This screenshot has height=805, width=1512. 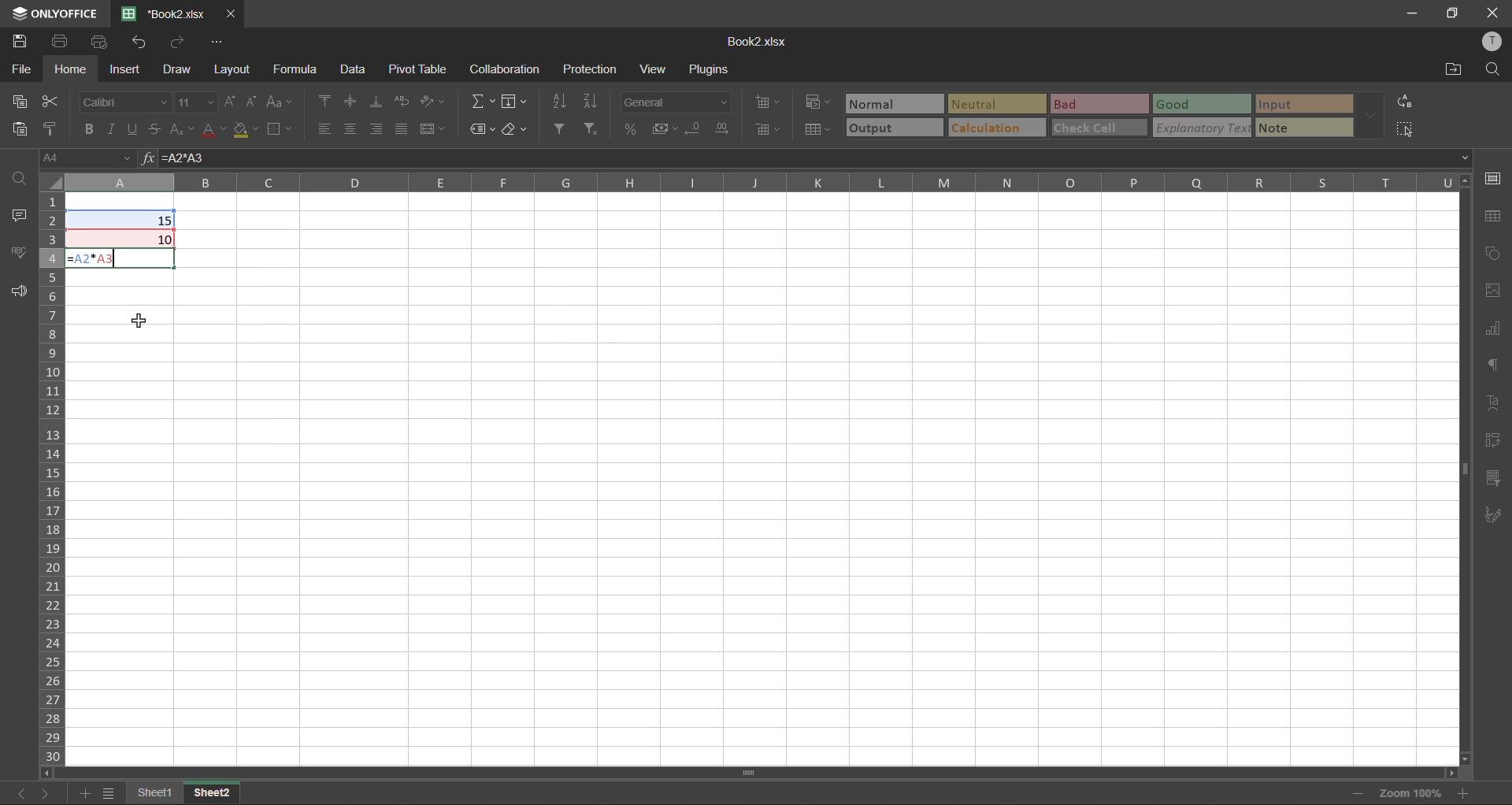 What do you see at coordinates (25, 101) in the screenshot?
I see `copy` at bounding box center [25, 101].